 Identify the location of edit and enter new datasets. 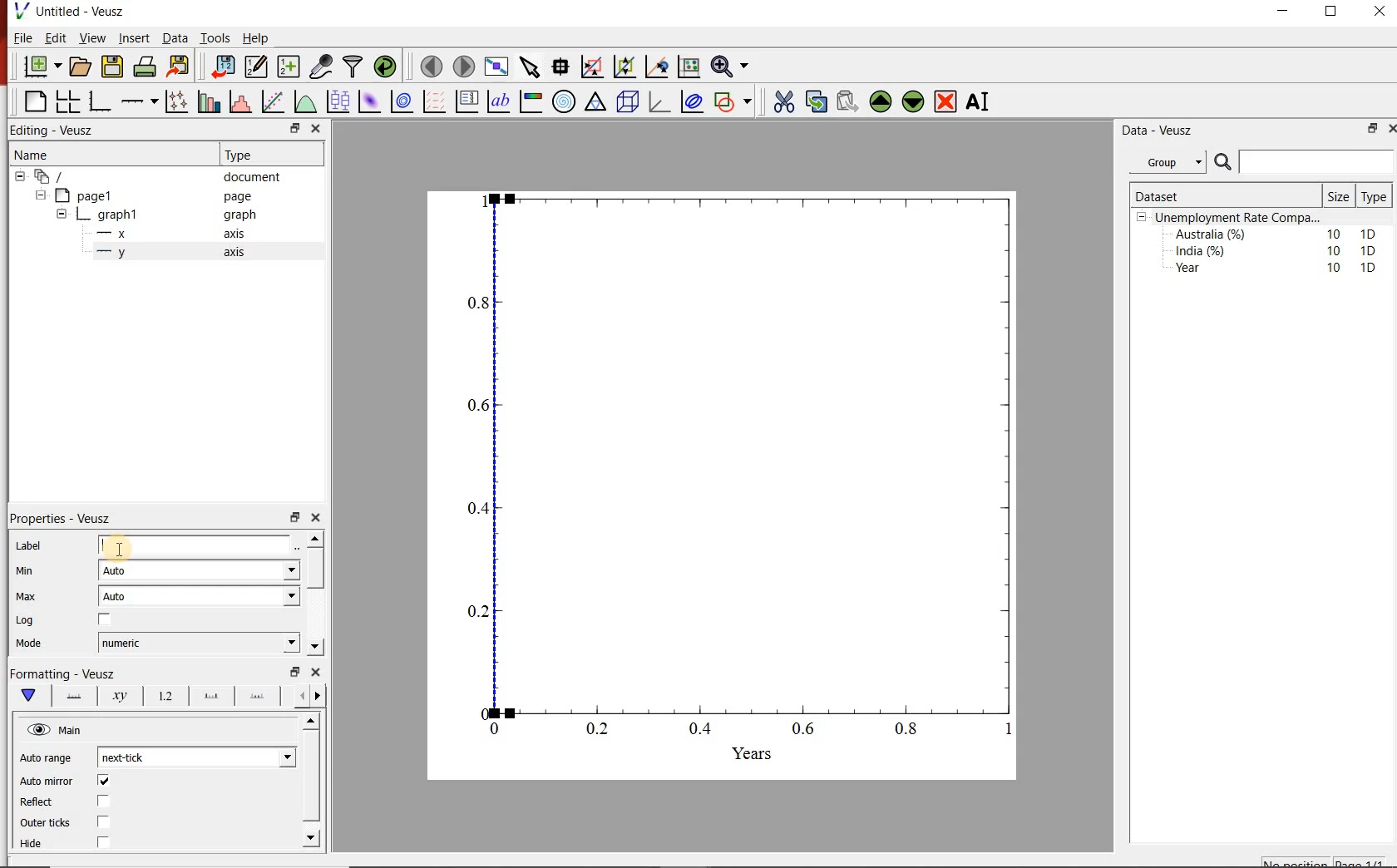
(258, 65).